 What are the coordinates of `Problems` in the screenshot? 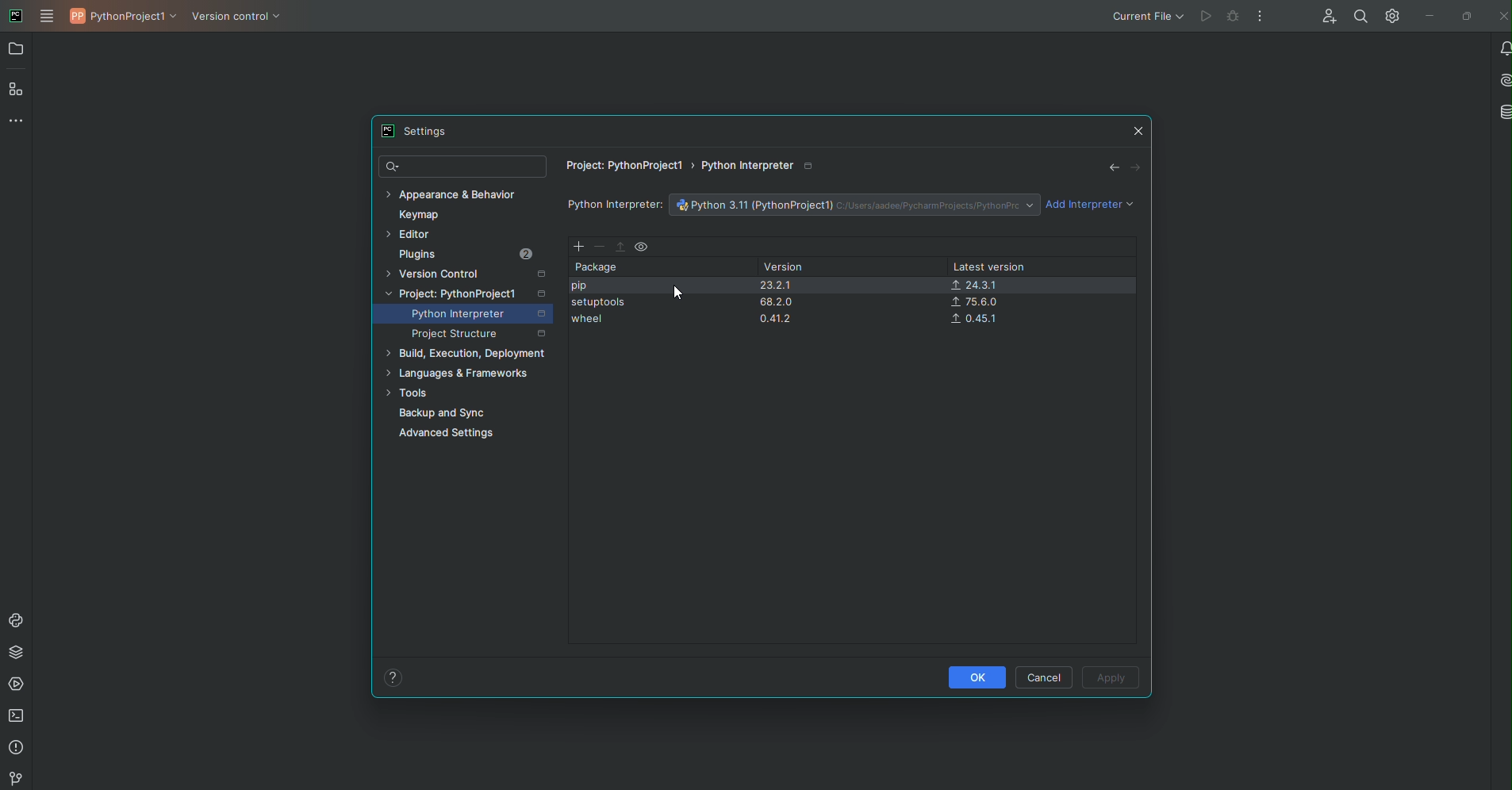 It's located at (17, 749).